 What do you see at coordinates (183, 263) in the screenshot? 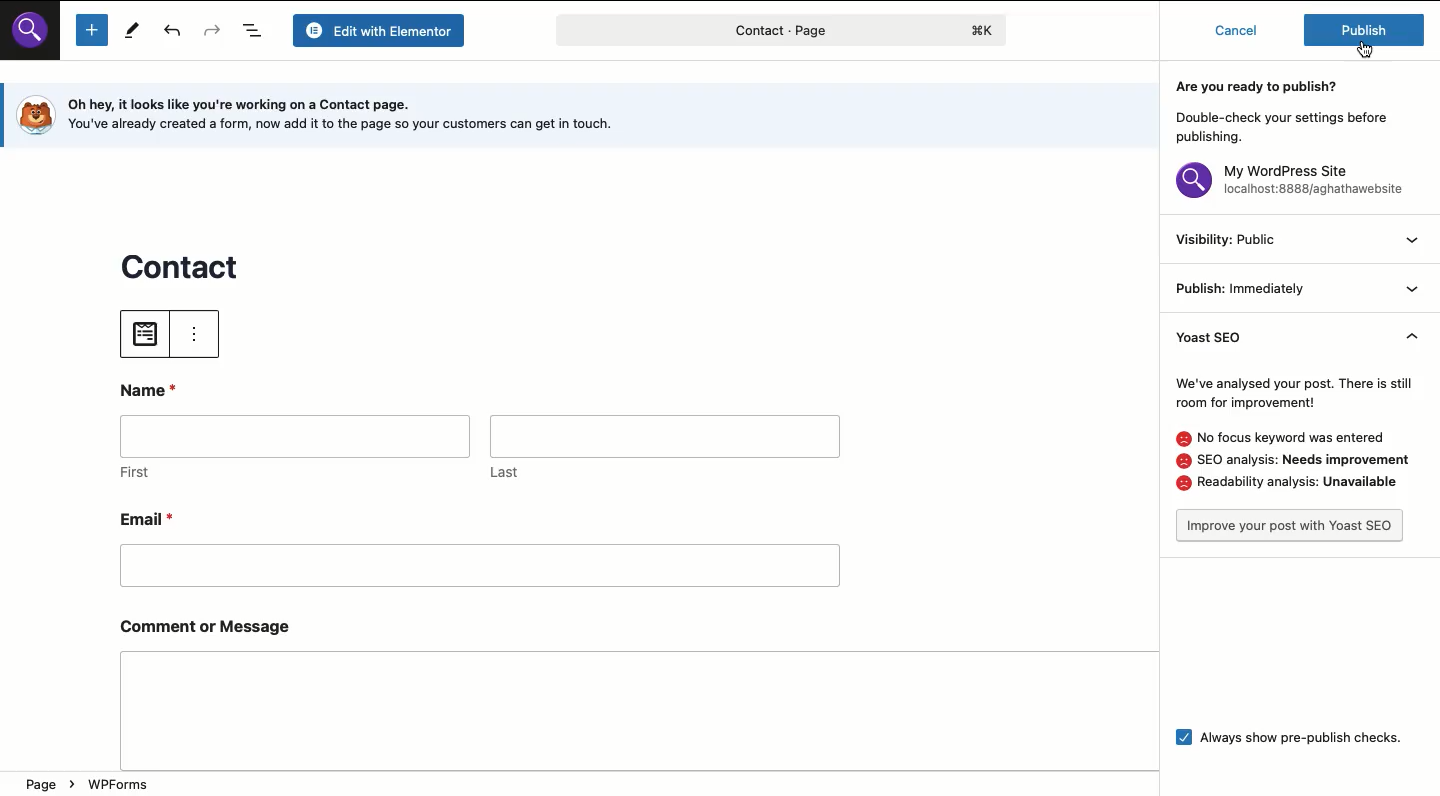
I see `contact` at bounding box center [183, 263].